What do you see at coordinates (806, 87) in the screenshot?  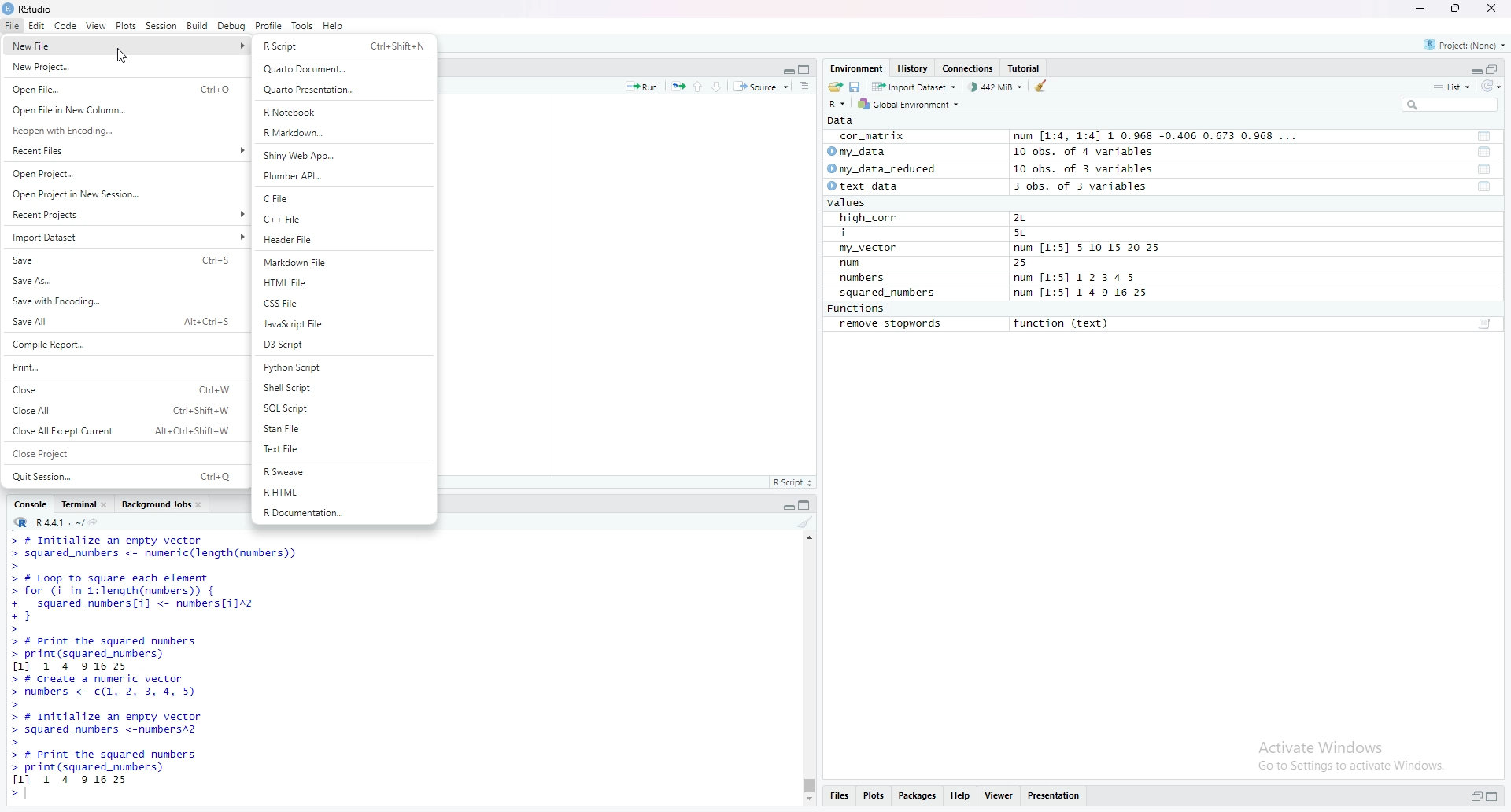 I see `Document outline` at bounding box center [806, 87].